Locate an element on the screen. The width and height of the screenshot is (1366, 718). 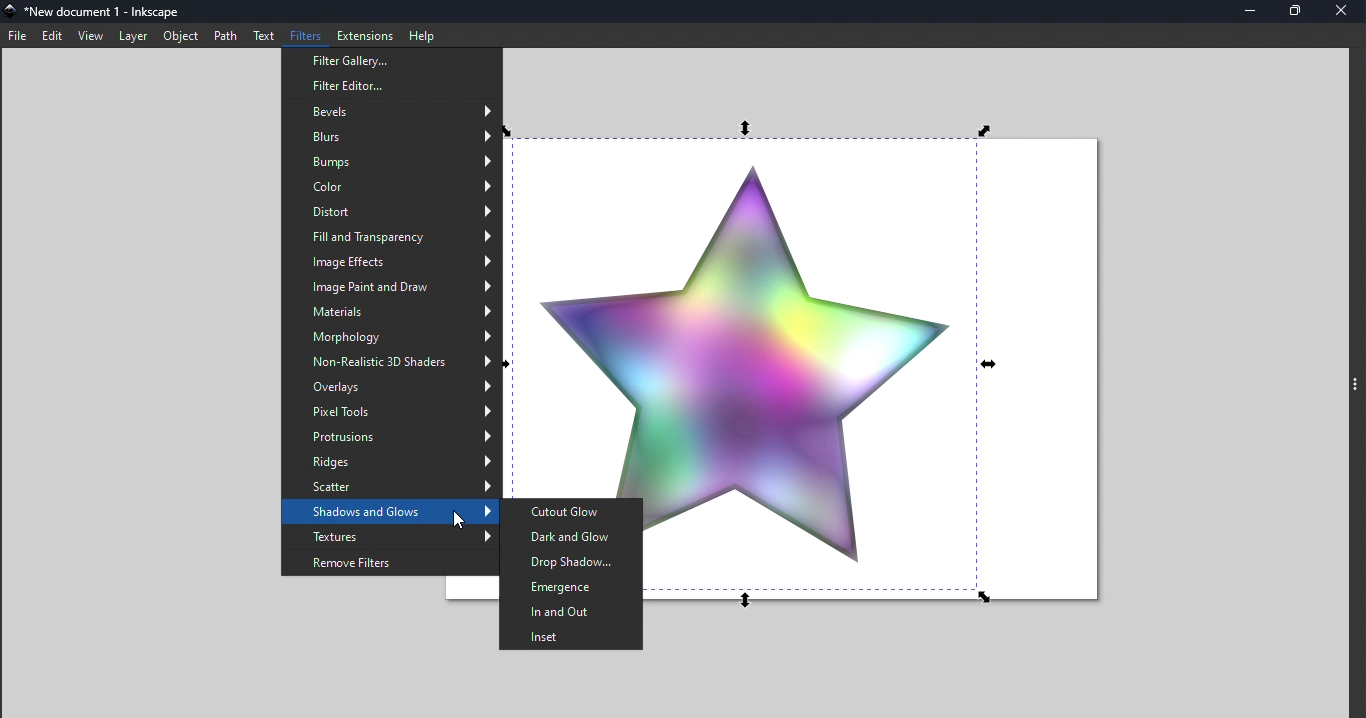
Overlays is located at coordinates (389, 387).